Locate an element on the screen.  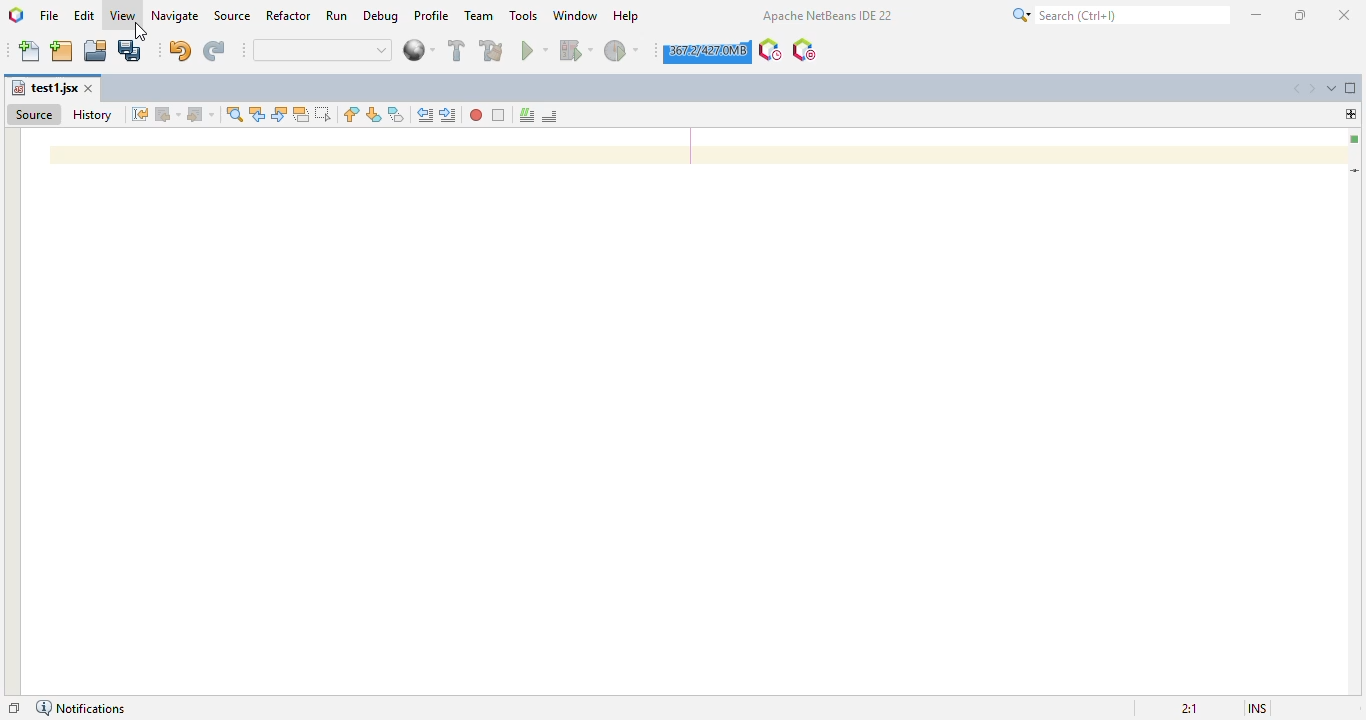
find next occurrence is located at coordinates (280, 113).